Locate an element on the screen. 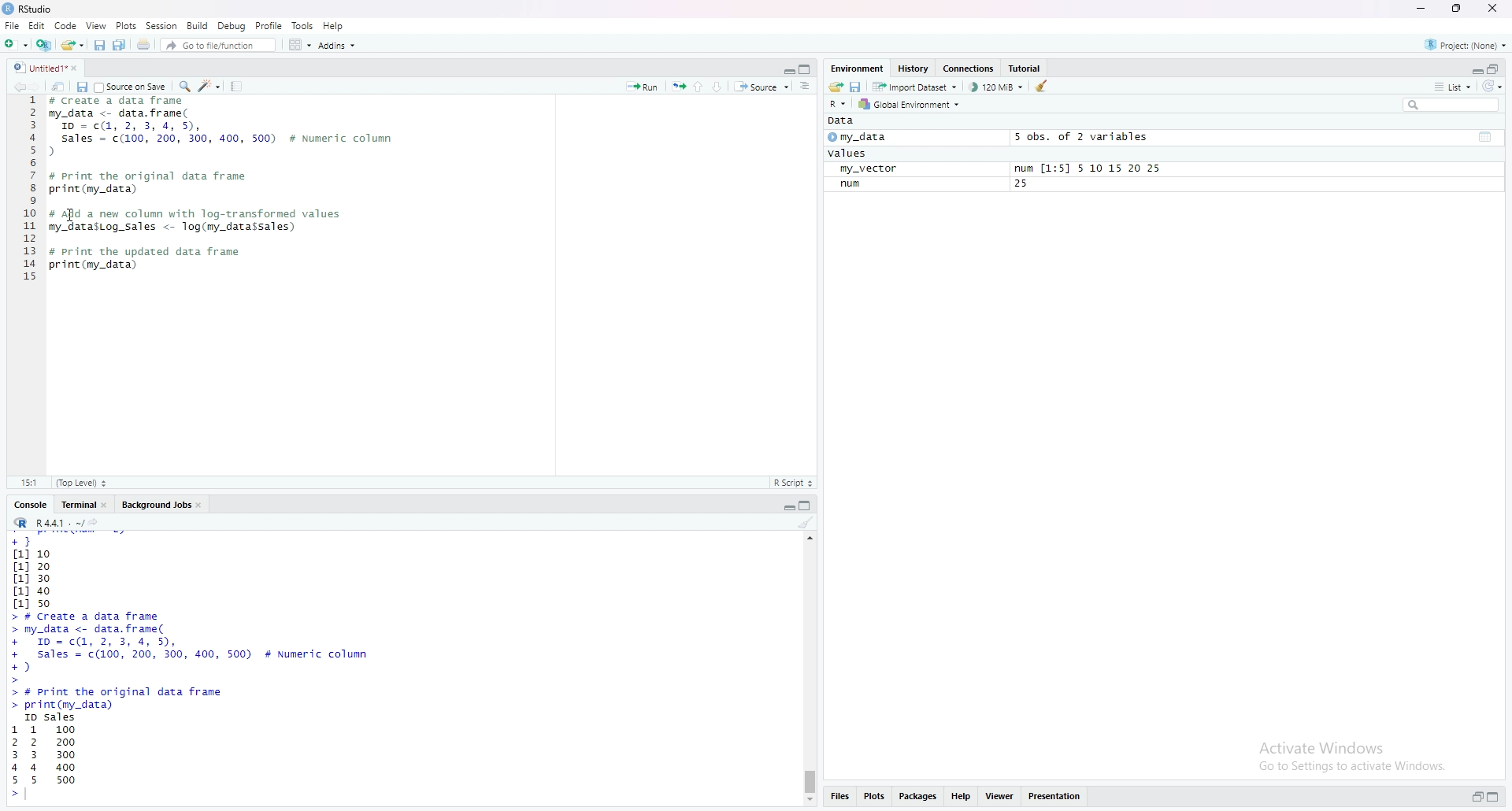 This screenshot has width=1512, height=811. my_data is located at coordinates (874, 139).